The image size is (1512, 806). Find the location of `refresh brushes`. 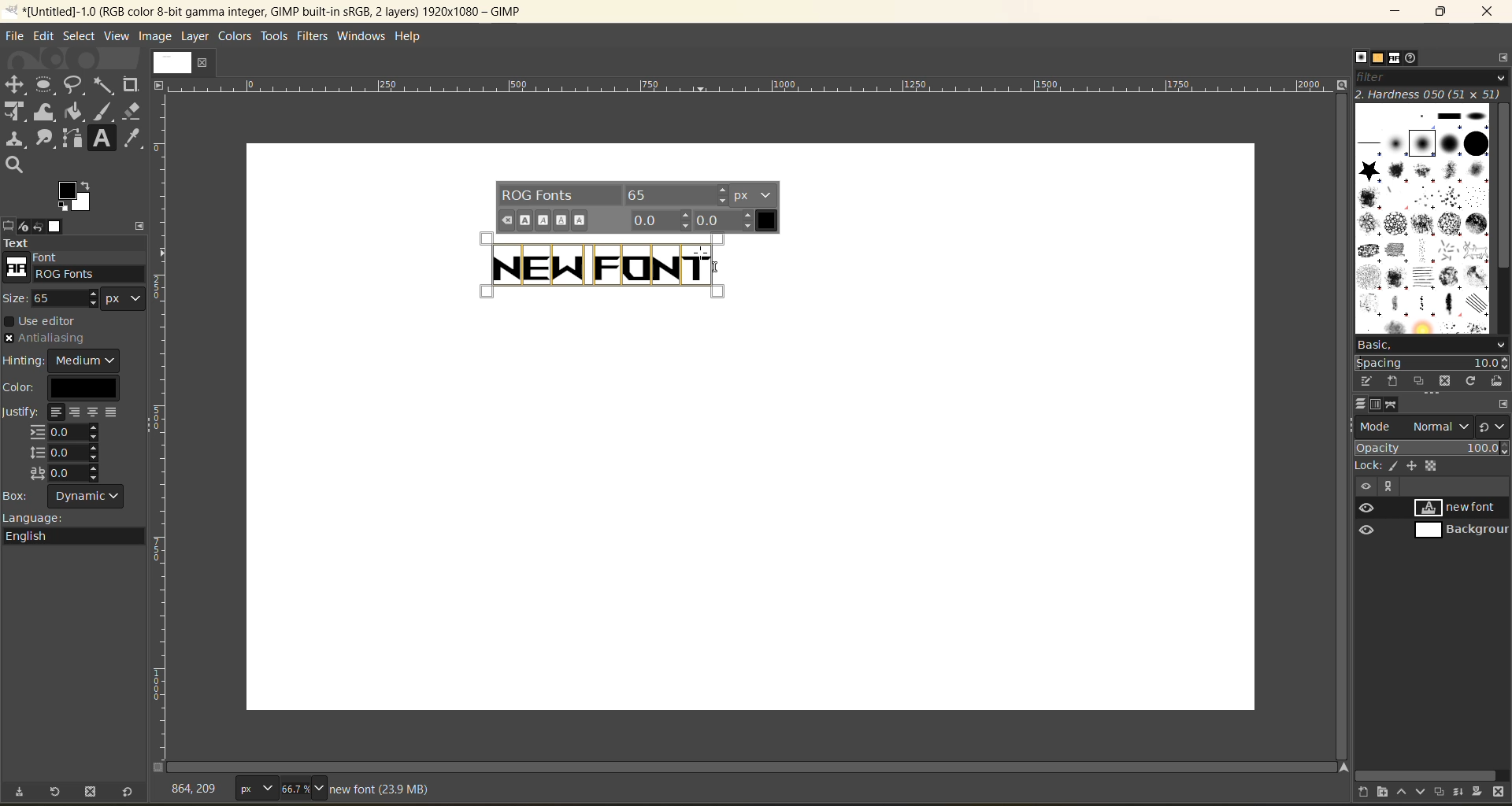

refresh brushes is located at coordinates (1473, 383).